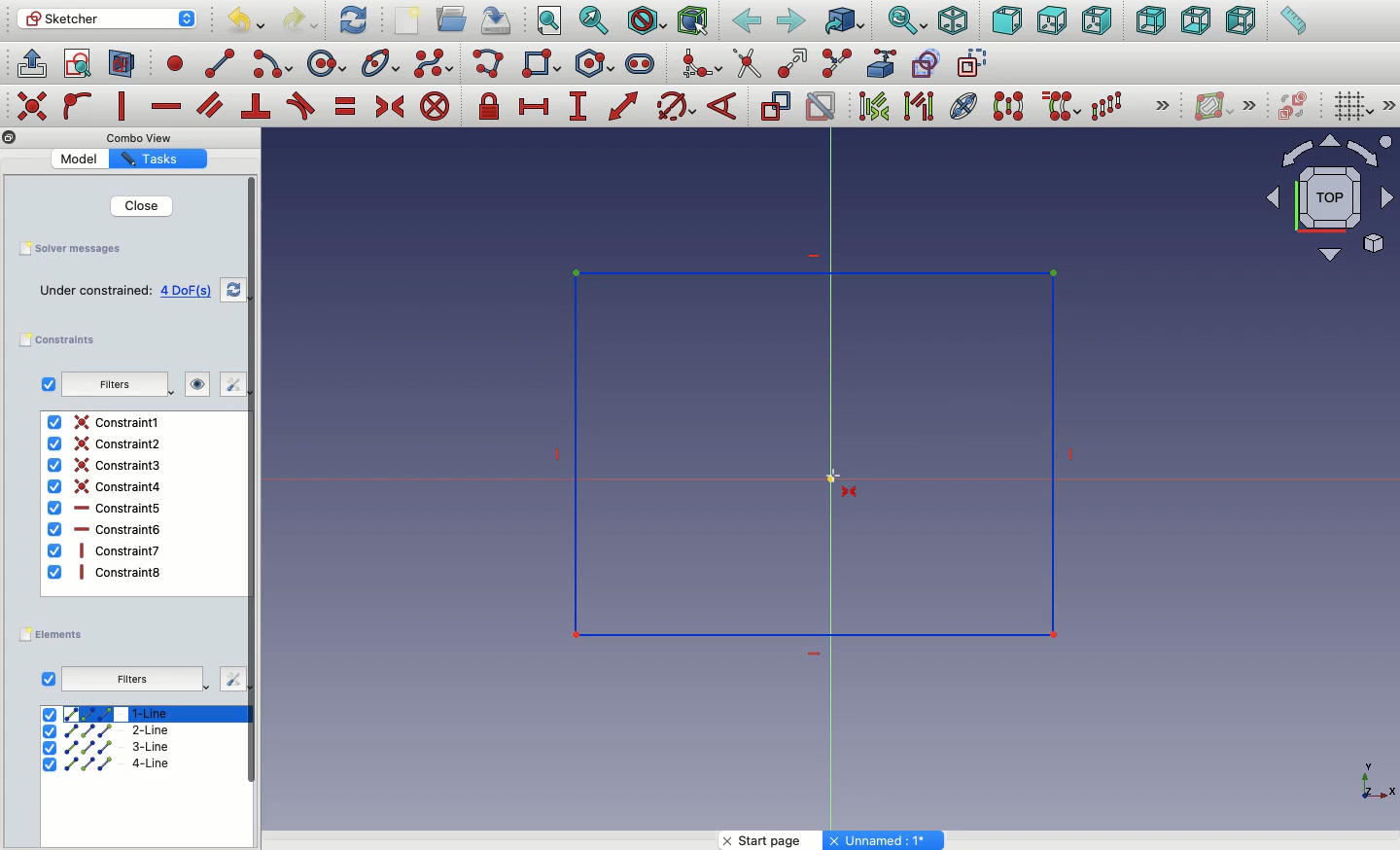 Image resolution: width=1400 pixels, height=850 pixels. What do you see at coordinates (69, 247) in the screenshot?
I see `Save` at bounding box center [69, 247].